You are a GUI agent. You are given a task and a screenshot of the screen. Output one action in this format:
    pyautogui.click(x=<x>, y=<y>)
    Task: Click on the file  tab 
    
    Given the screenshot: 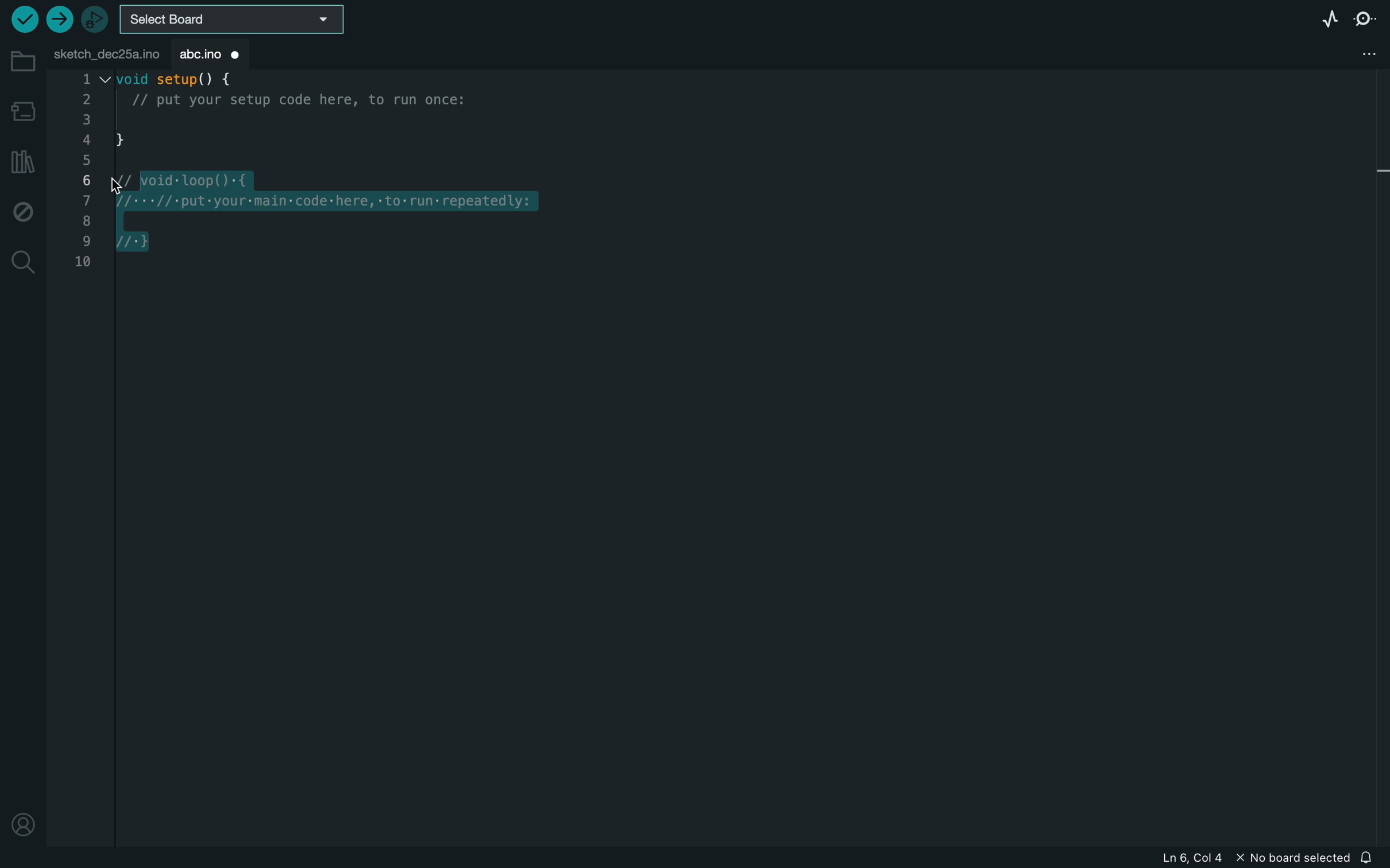 What is the action you would take?
    pyautogui.click(x=104, y=53)
    